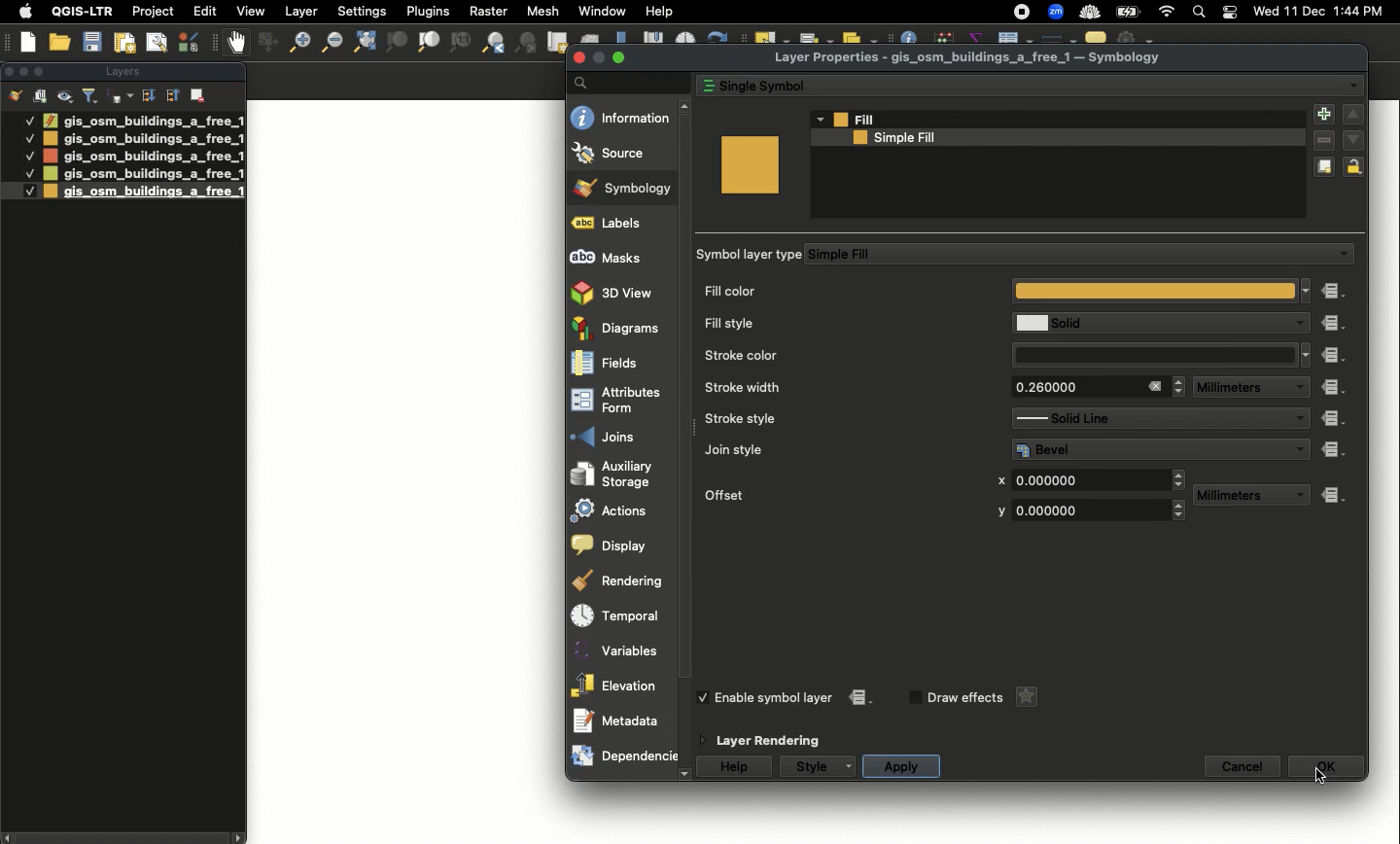 Image resolution: width=1400 pixels, height=844 pixels. What do you see at coordinates (121, 96) in the screenshot?
I see `Filter legend by expression` at bounding box center [121, 96].